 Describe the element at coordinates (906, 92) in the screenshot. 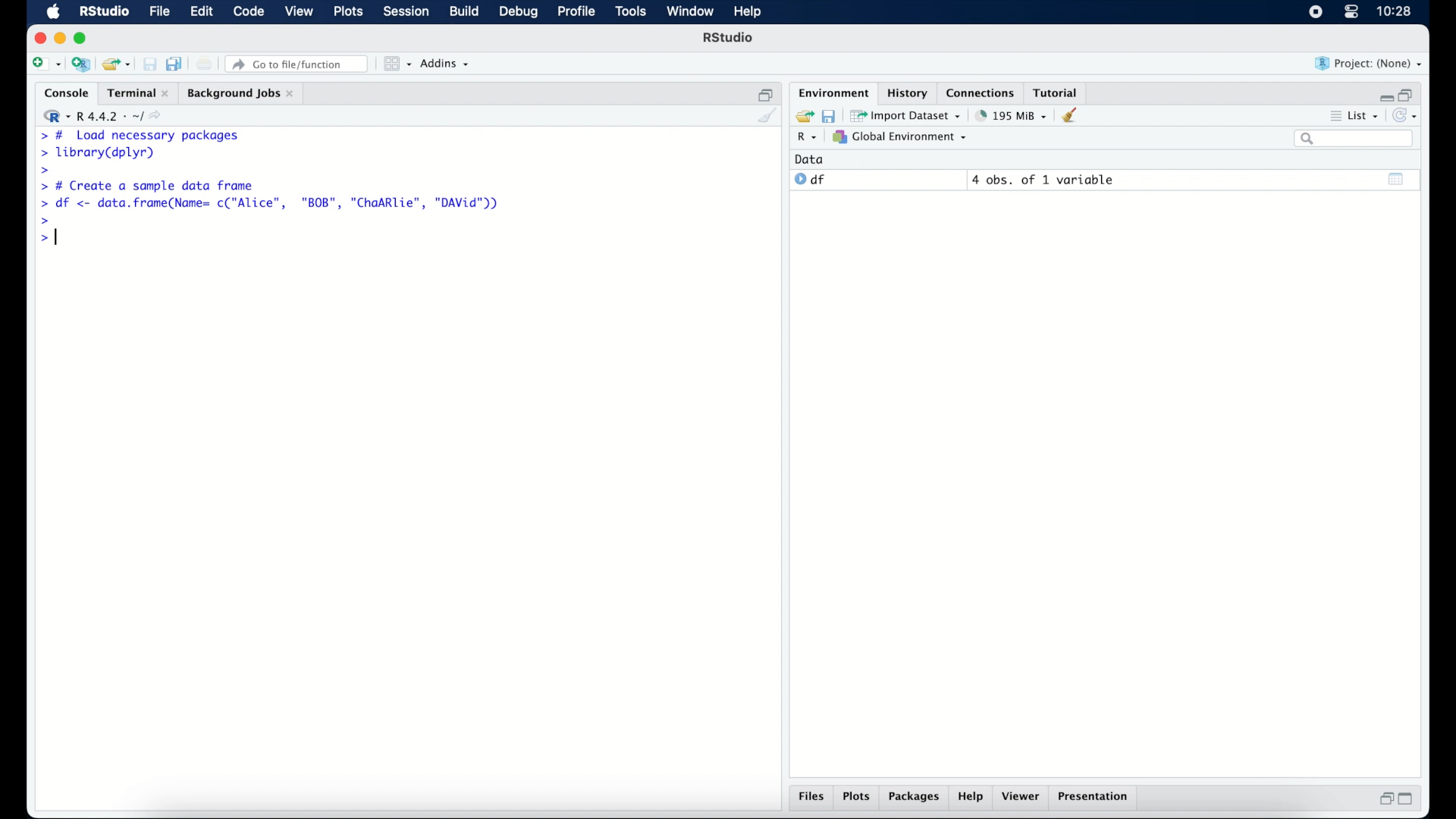

I see `history` at that location.